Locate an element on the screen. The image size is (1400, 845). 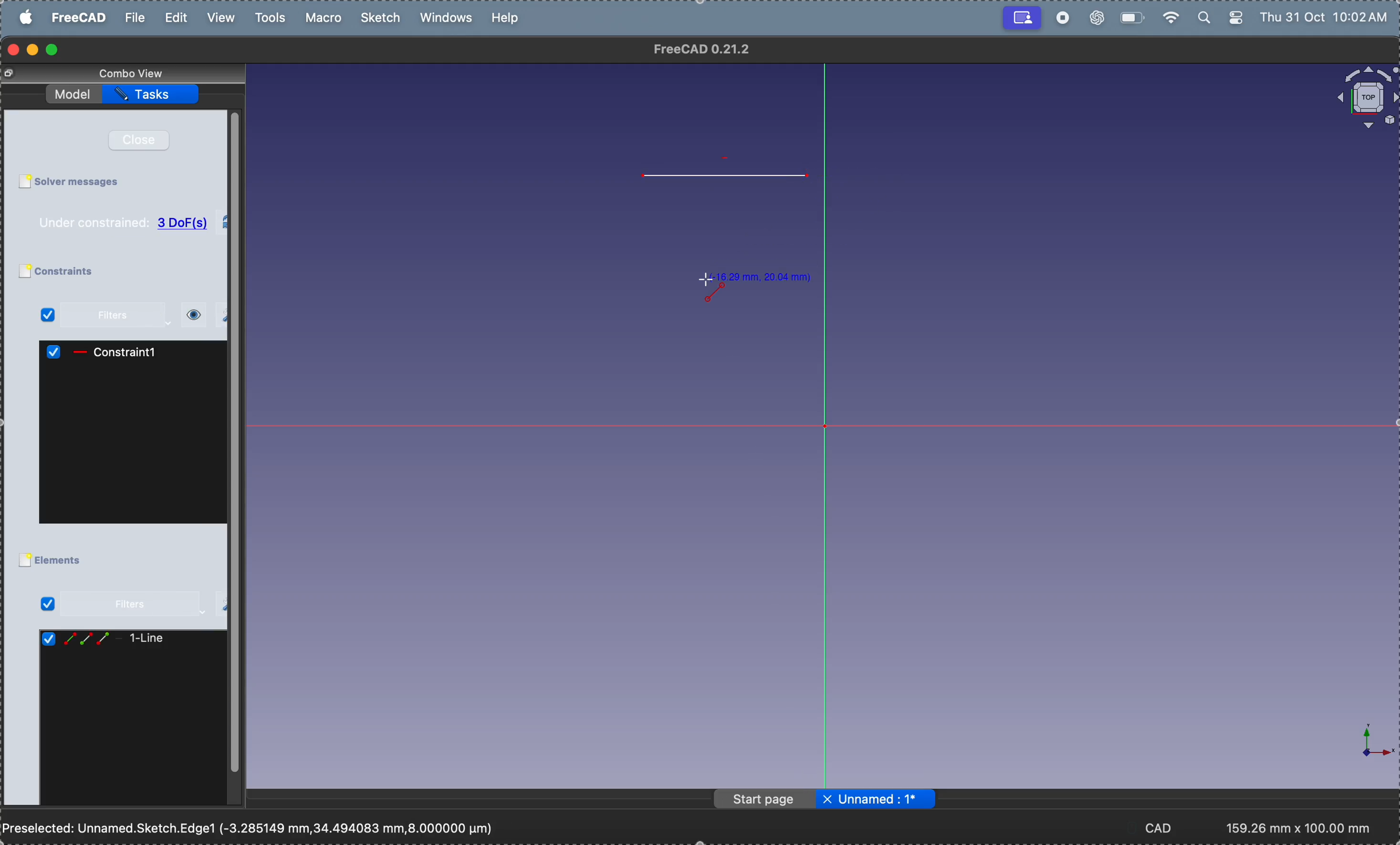
193.17 mm x 100.00 mm is located at coordinates (1299, 828).